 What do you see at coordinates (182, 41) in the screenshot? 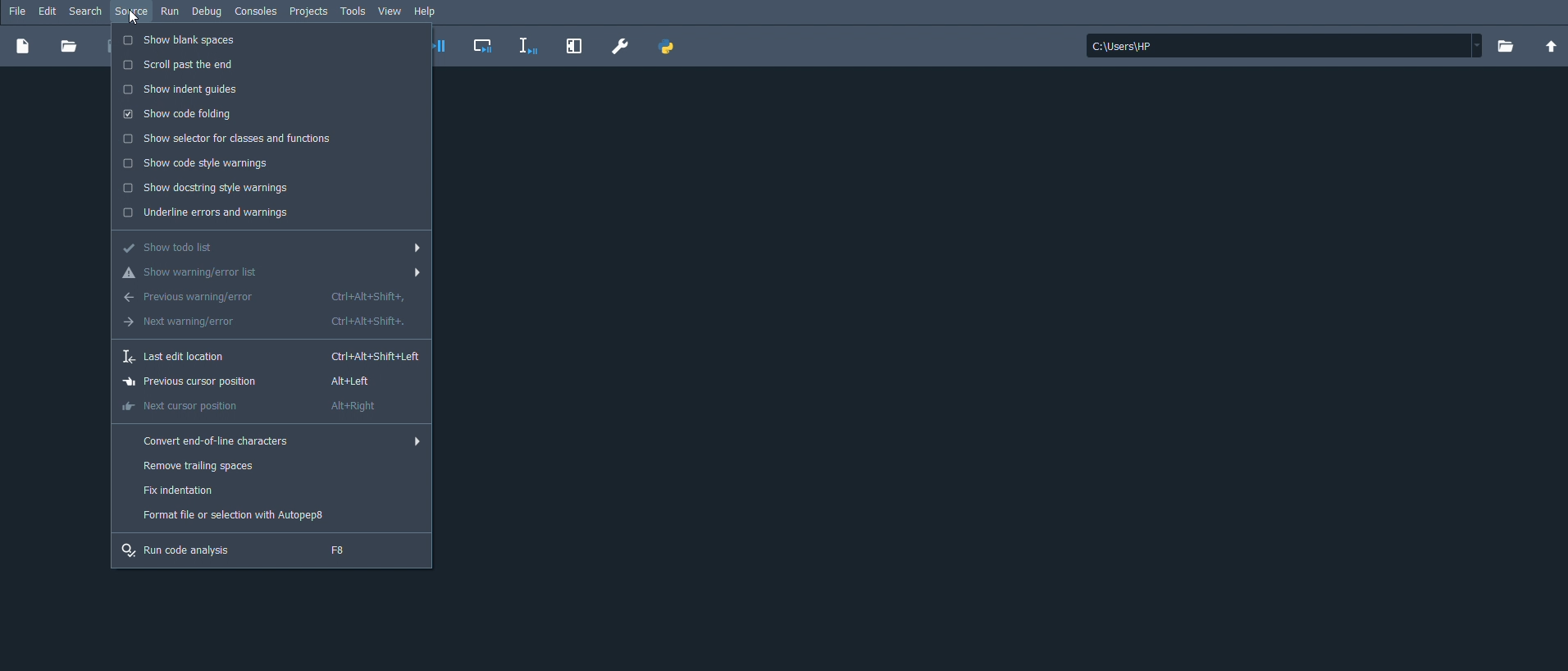
I see `Show blank spaces` at bounding box center [182, 41].